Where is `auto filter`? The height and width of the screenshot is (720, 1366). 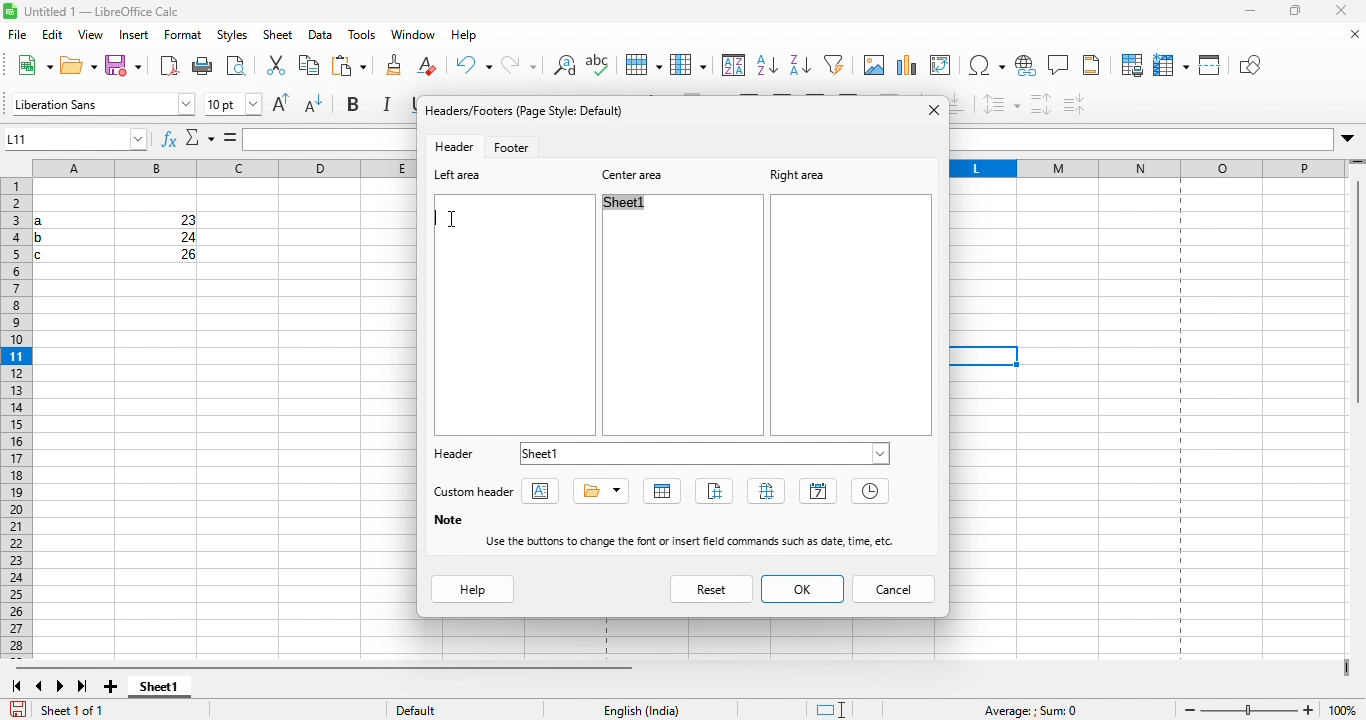
auto filter is located at coordinates (803, 67).